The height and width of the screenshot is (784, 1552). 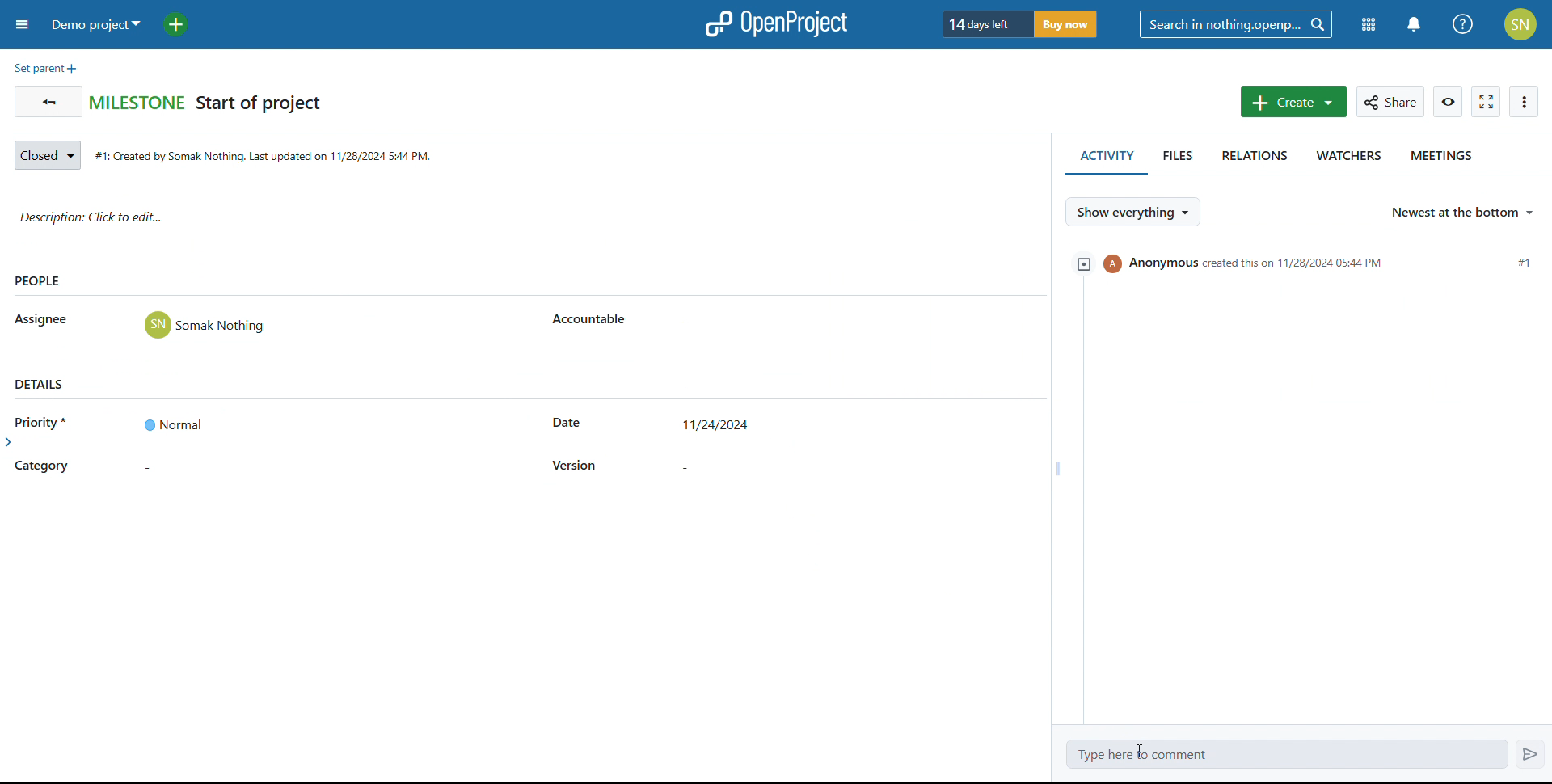 What do you see at coordinates (1462, 213) in the screenshot?
I see `select sorting` at bounding box center [1462, 213].